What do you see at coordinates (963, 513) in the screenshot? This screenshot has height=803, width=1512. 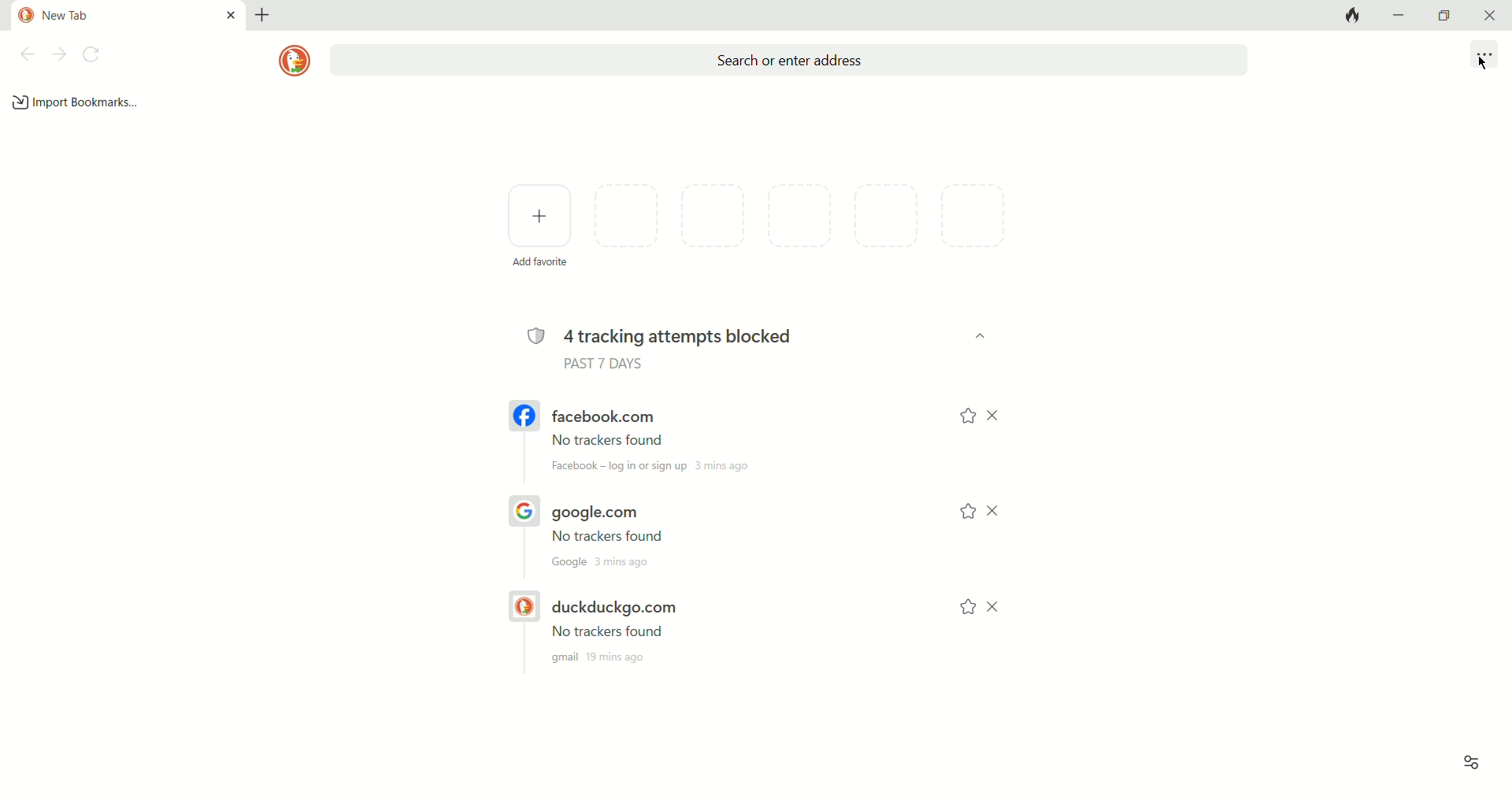 I see `add to favorites` at bounding box center [963, 513].